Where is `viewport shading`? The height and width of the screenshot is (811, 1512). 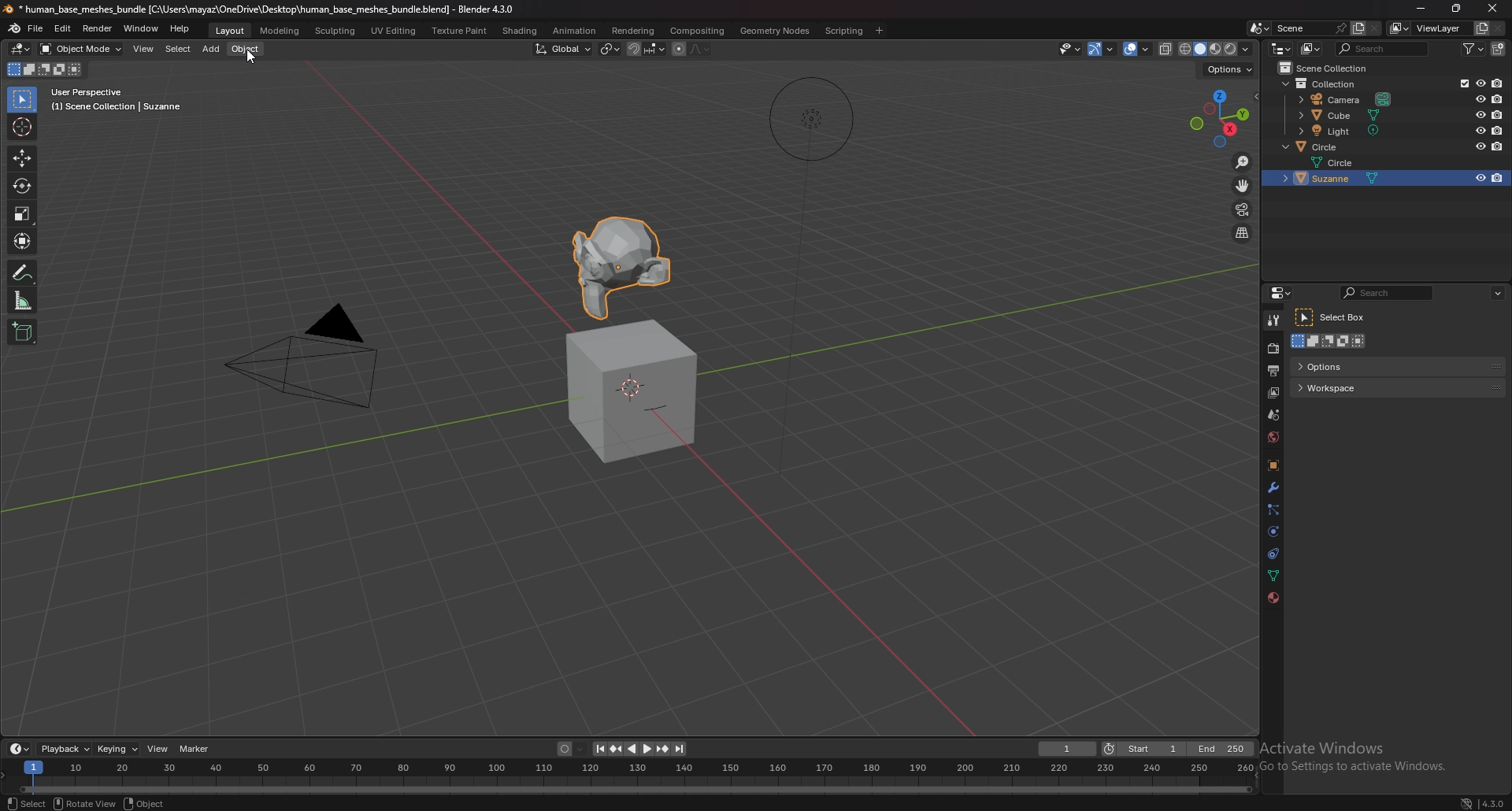 viewport shading is located at coordinates (1217, 48).